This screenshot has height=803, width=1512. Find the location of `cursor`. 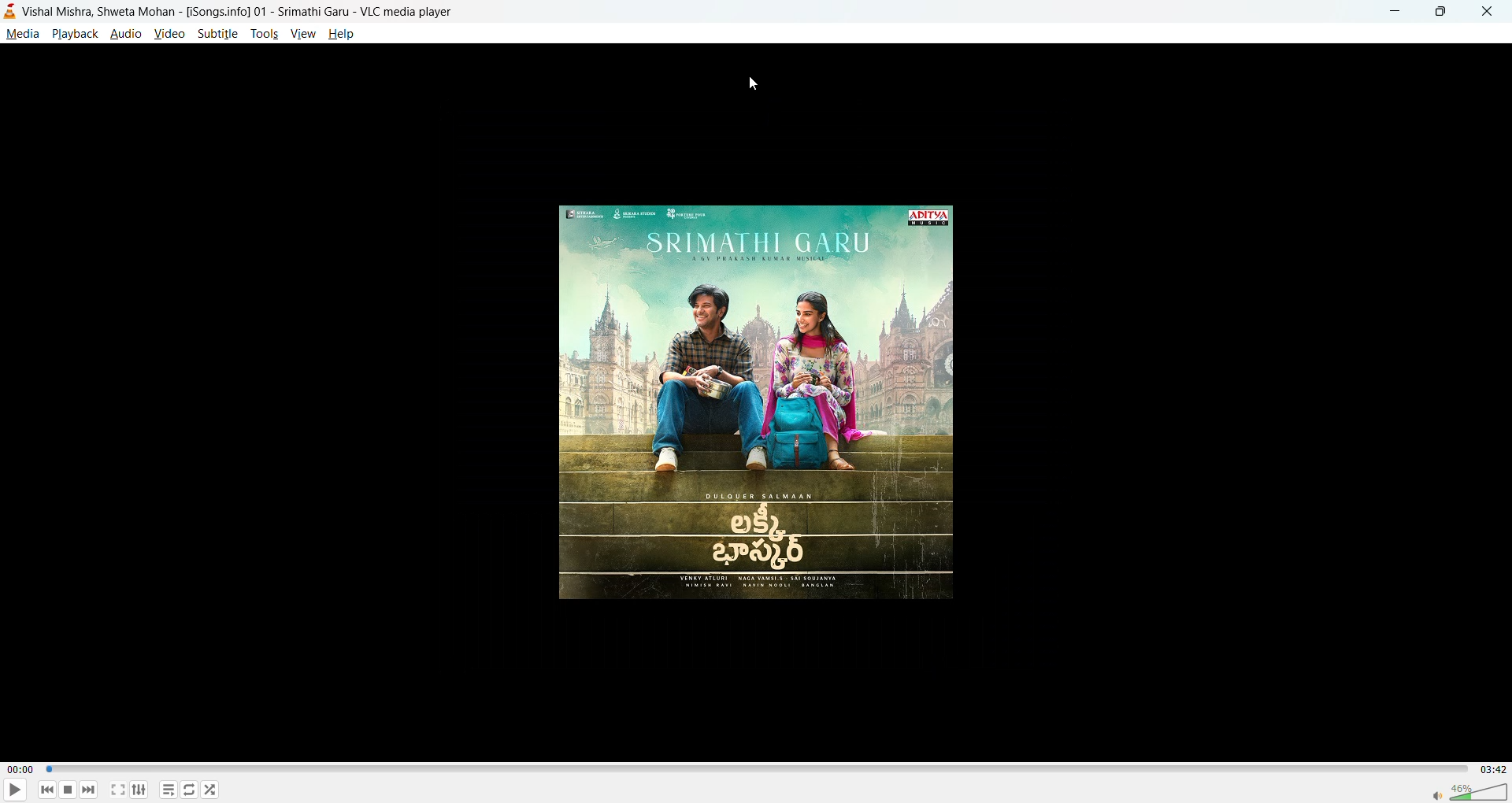

cursor is located at coordinates (752, 86).